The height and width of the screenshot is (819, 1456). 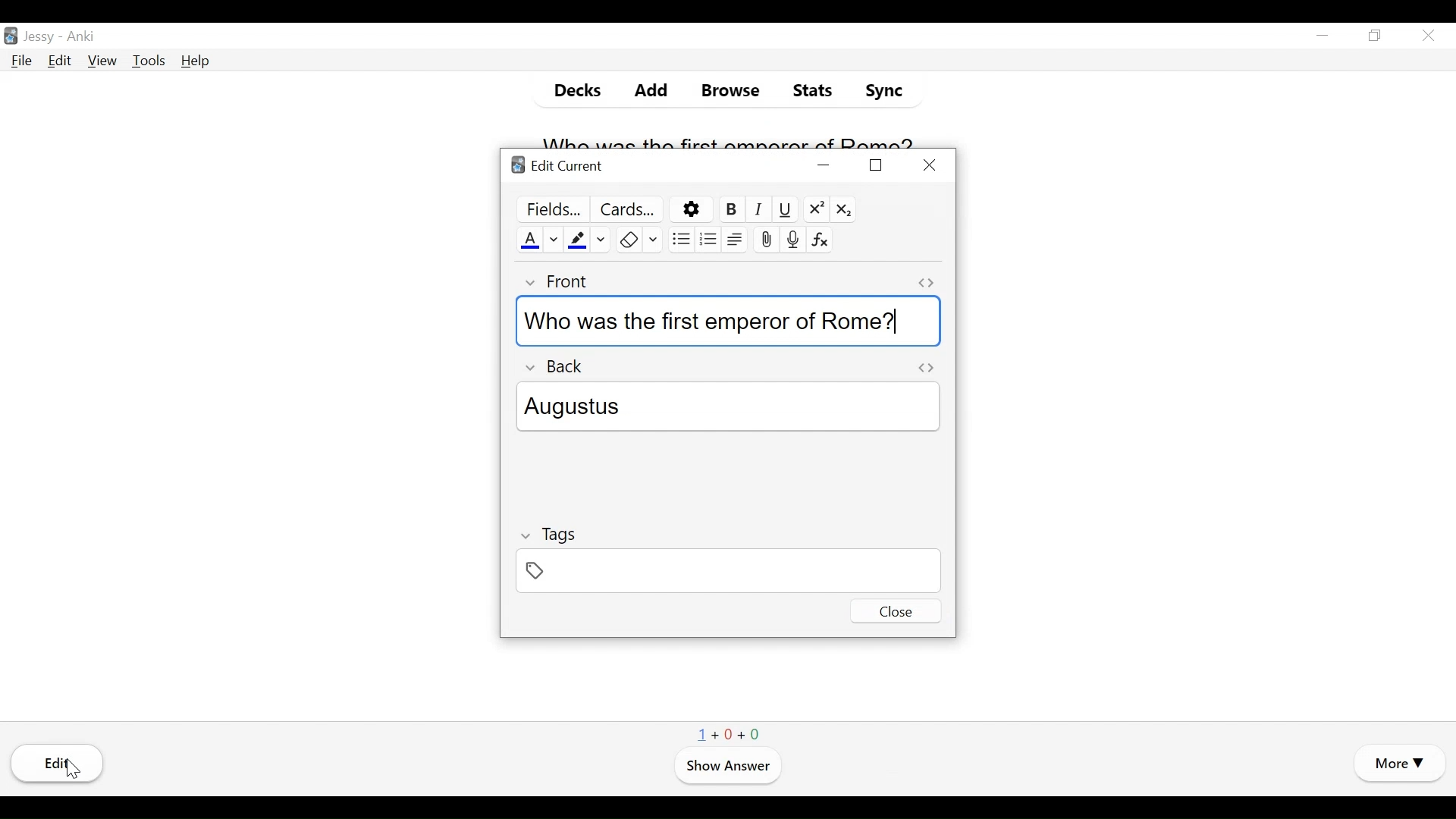 What do you see at coordinates (927, 367) in the screenshot?
I see `Toggle TML Editor` at bounding box center [927, 367].